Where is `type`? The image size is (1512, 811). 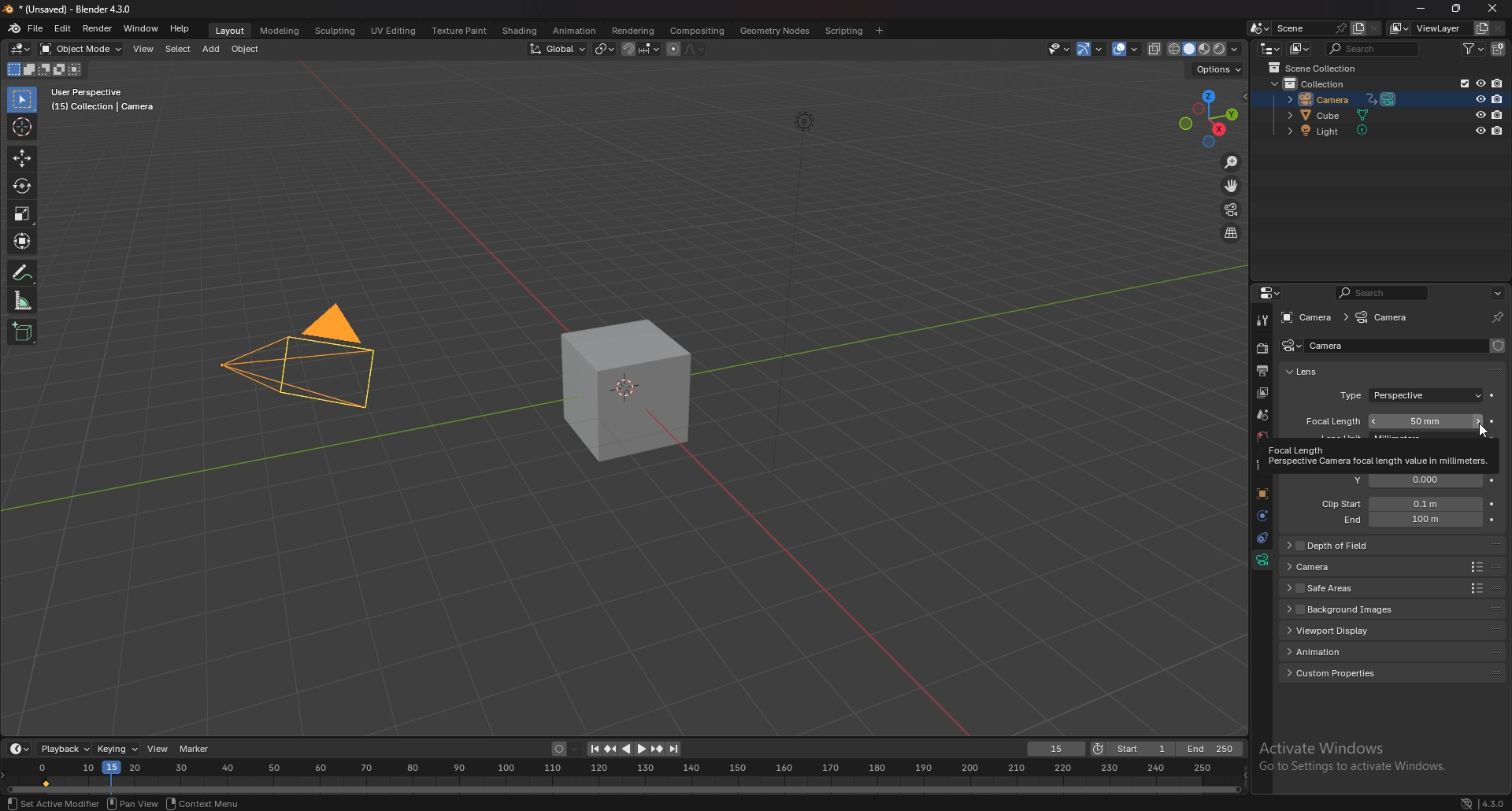
type is located at coordinates (1410, 397).